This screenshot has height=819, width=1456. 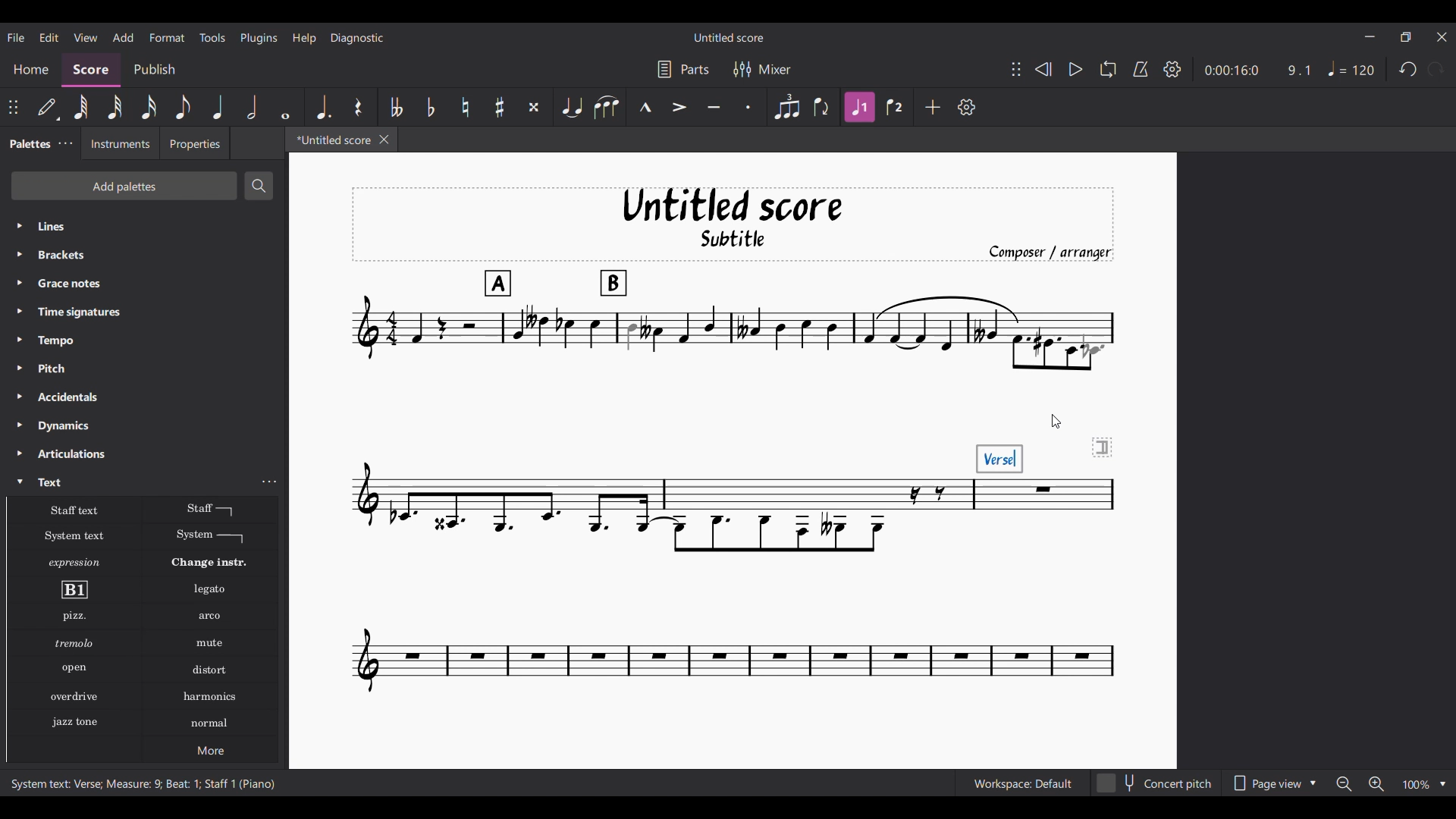 What do you see at coordinates (144, 426) in the screenshot?
I see `Dynamics` at bounding box center [144, 426].